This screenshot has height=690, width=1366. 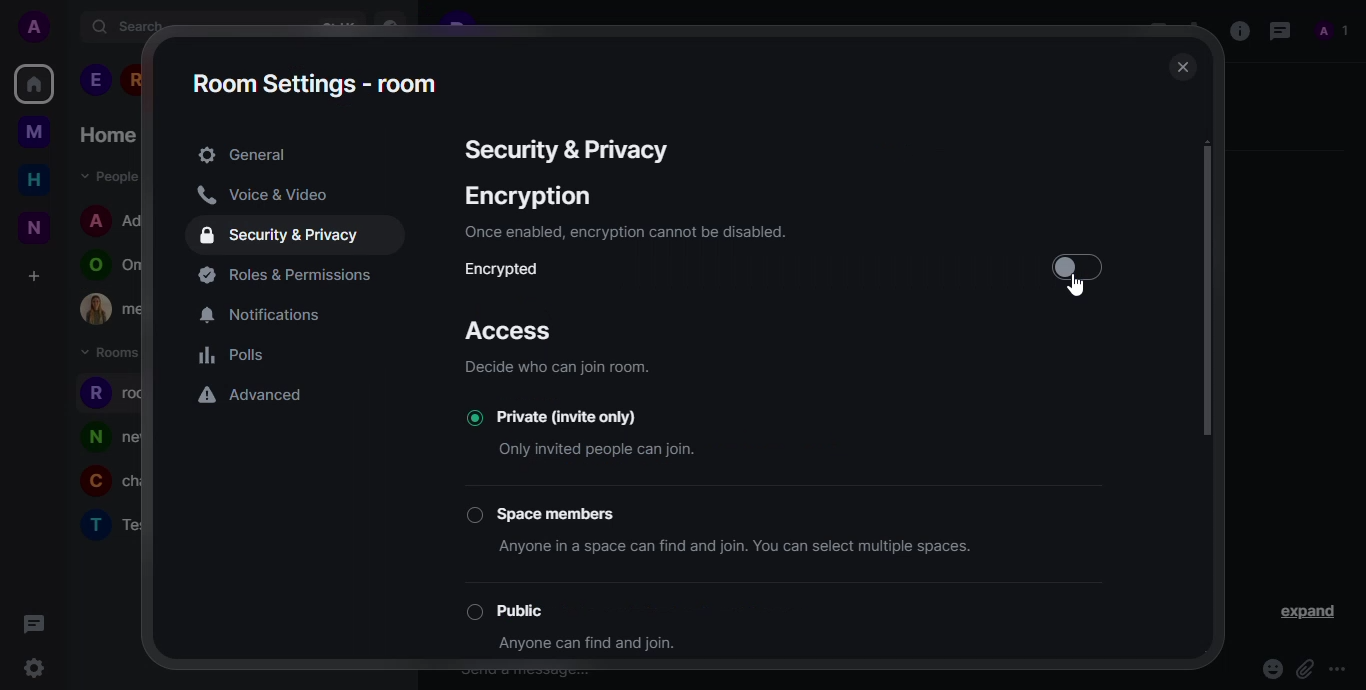 What do you see at coordinates (268, 316) in the screenshot?
I see `notifications` at bounding box center [268, 316].